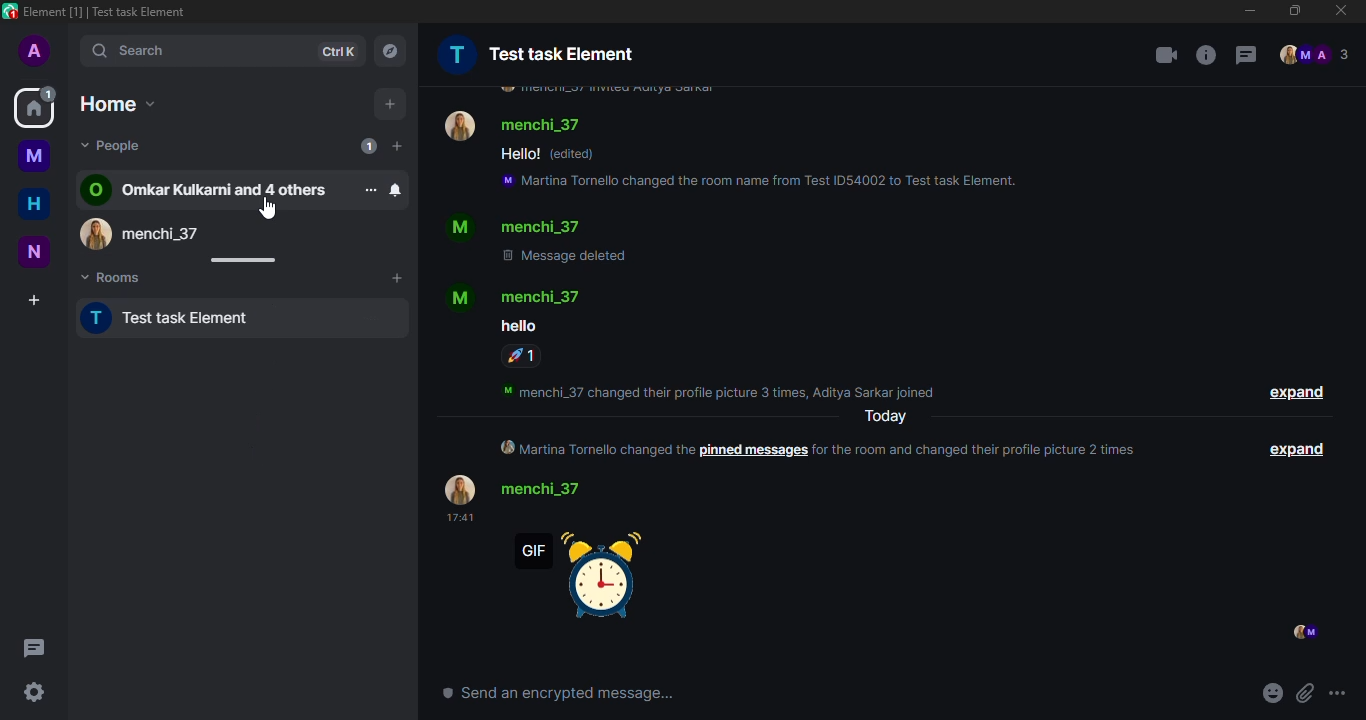 This screenshot has height=720, width=1366. I want to click on attach, so click(1304, 694).